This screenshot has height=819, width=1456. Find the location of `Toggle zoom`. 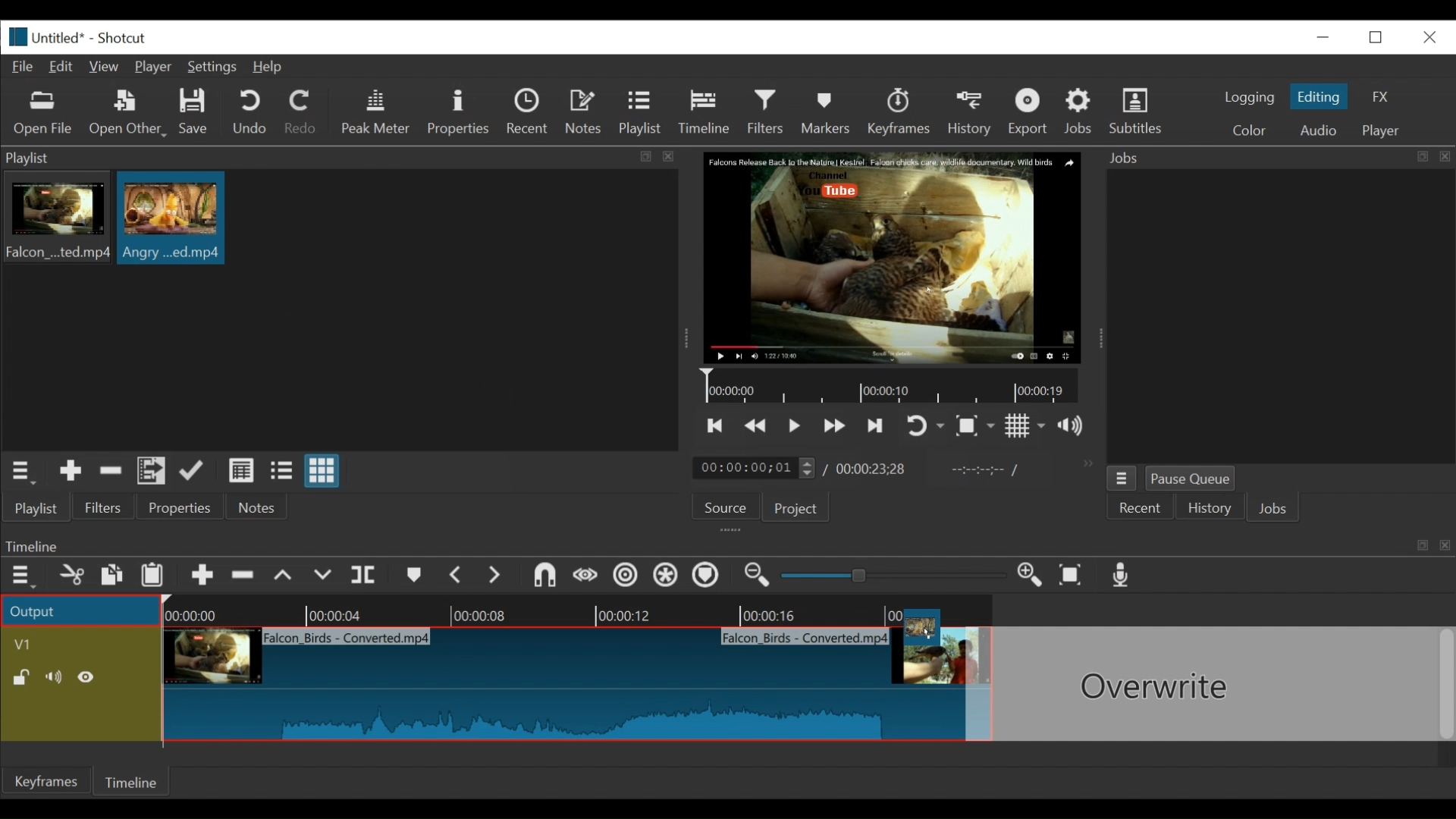

Toggle zoom is located at coordinates (974, 427).